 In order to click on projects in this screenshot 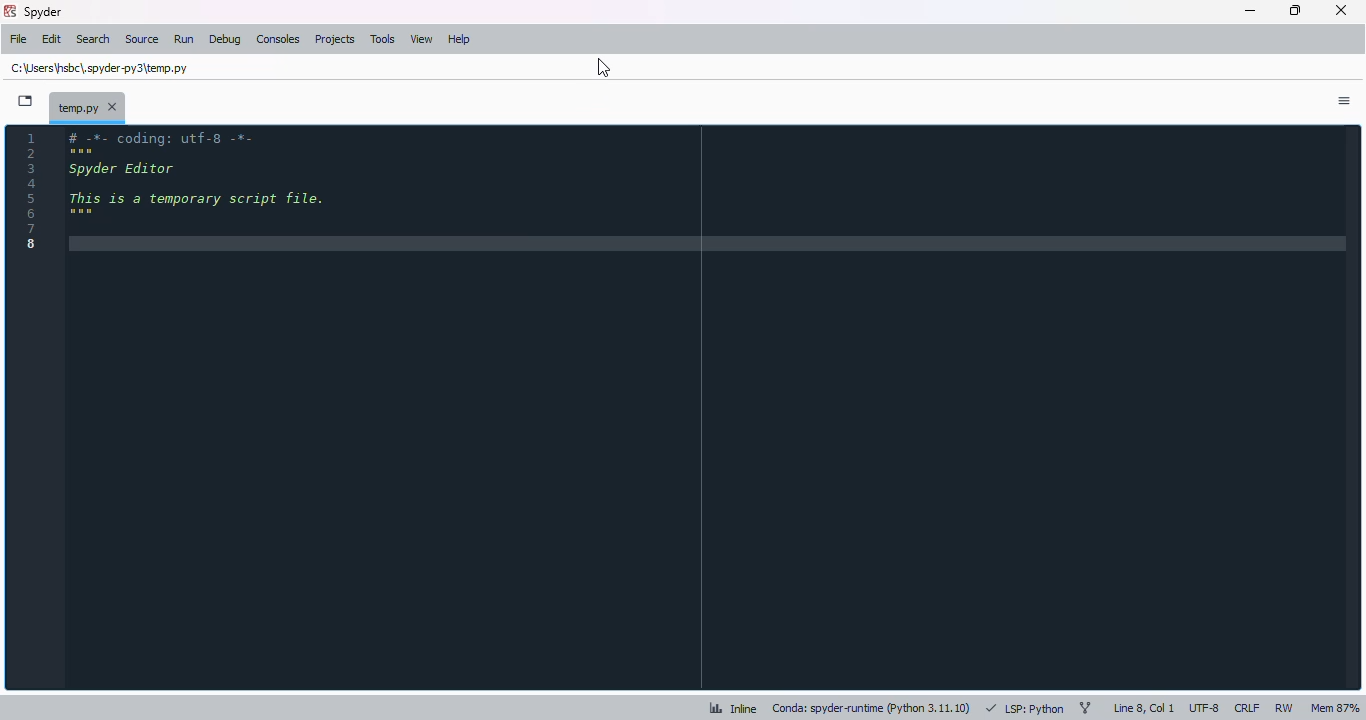, I will do `click(335, 39)`.